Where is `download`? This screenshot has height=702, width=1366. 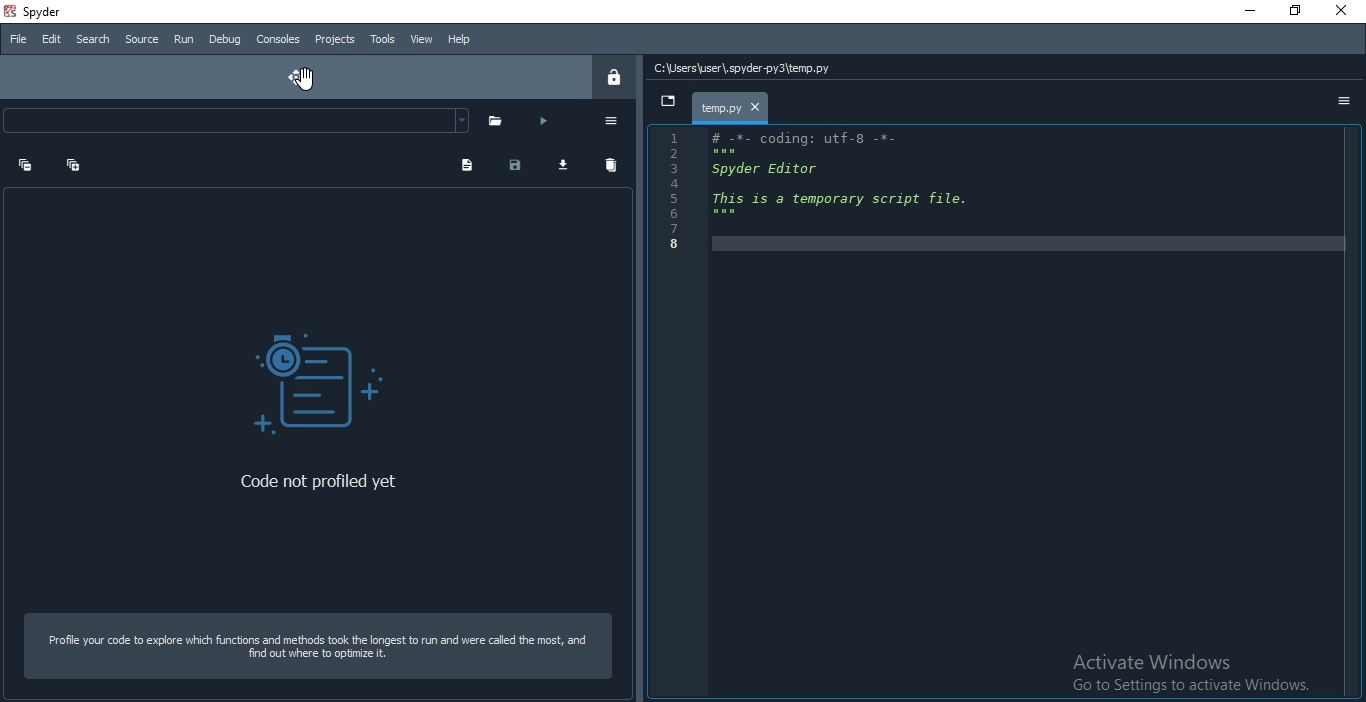
download is located at coordinates (567, 166).